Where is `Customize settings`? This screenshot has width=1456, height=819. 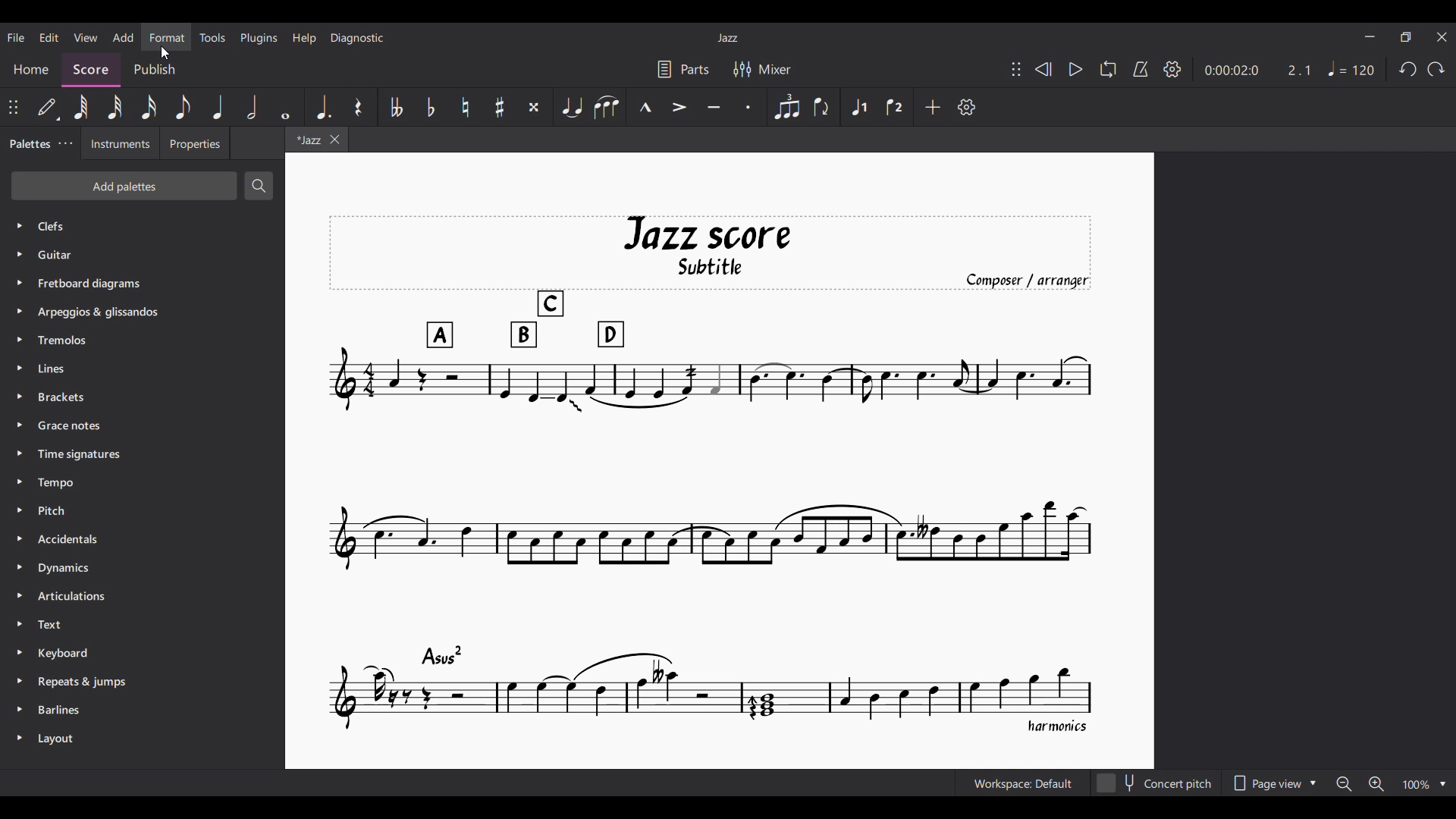 Customize settings is located at coordinates (966, 107).